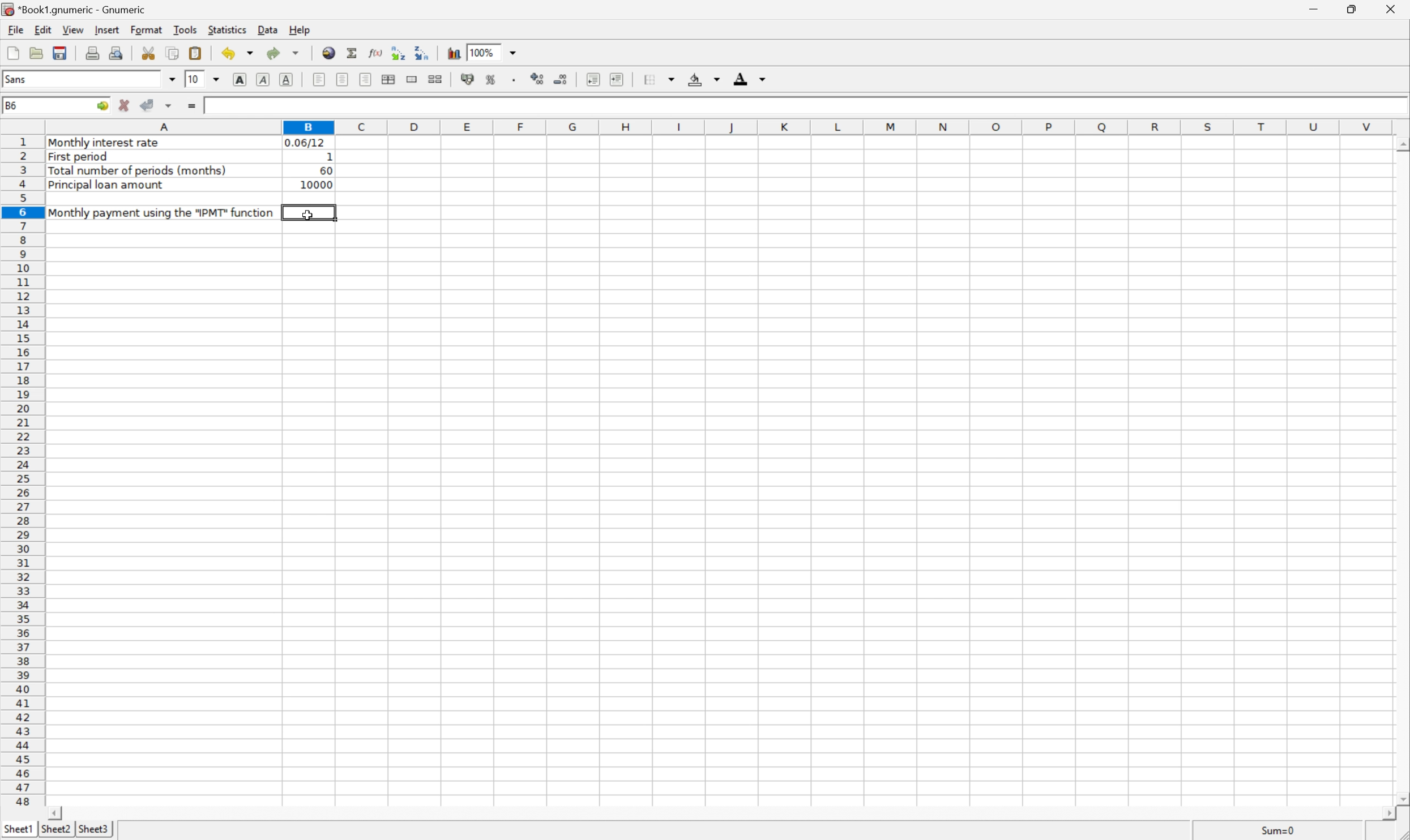 The width and height of the screenshot is (1410, 840). Describe the element at coordinates (43, 29) in the screenshot. I see `Edit` at that location.